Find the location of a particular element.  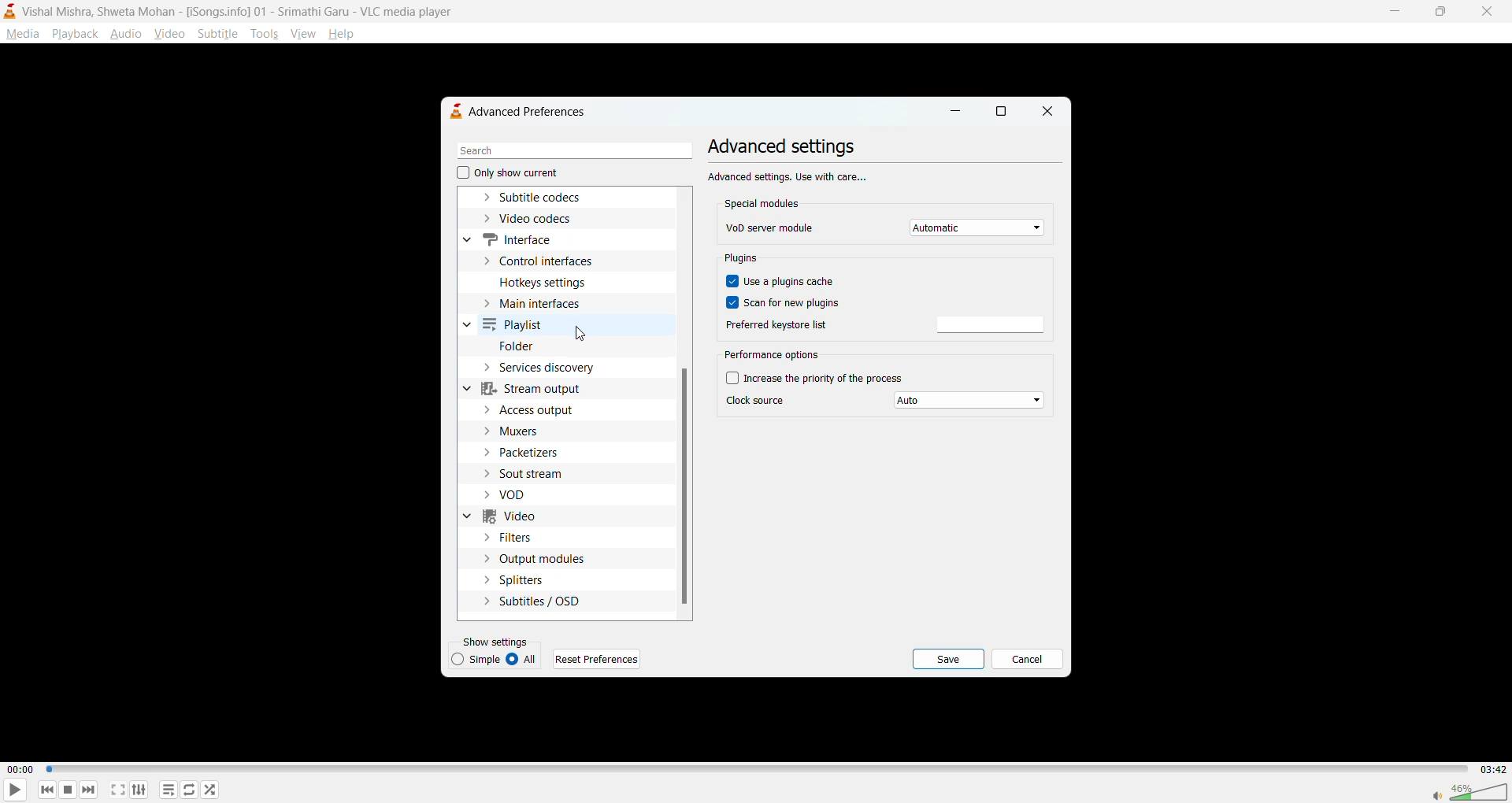

packetizers is located at coordinates (532, 453).